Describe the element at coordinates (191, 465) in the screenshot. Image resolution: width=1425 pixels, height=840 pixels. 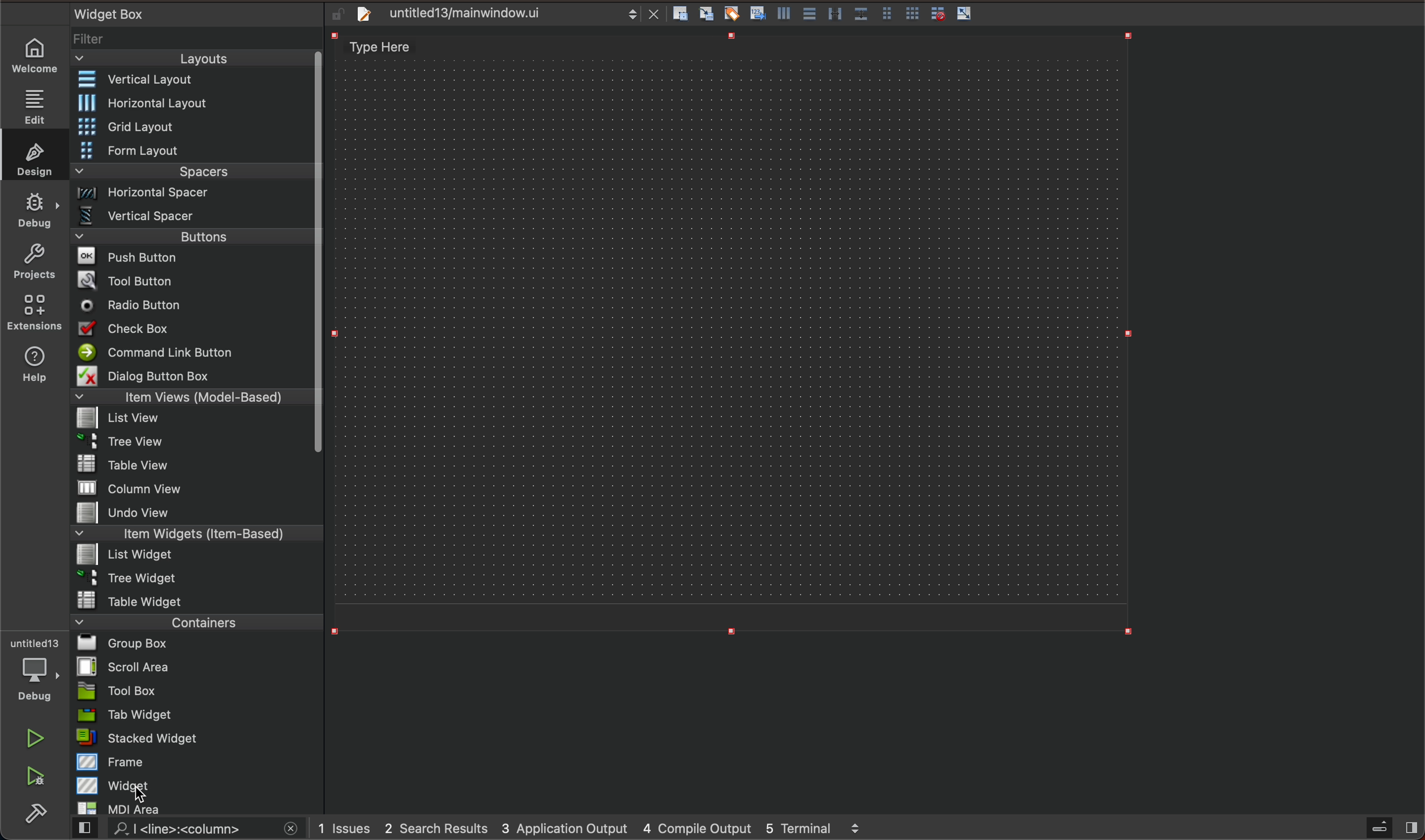
I see `table view` at that location.